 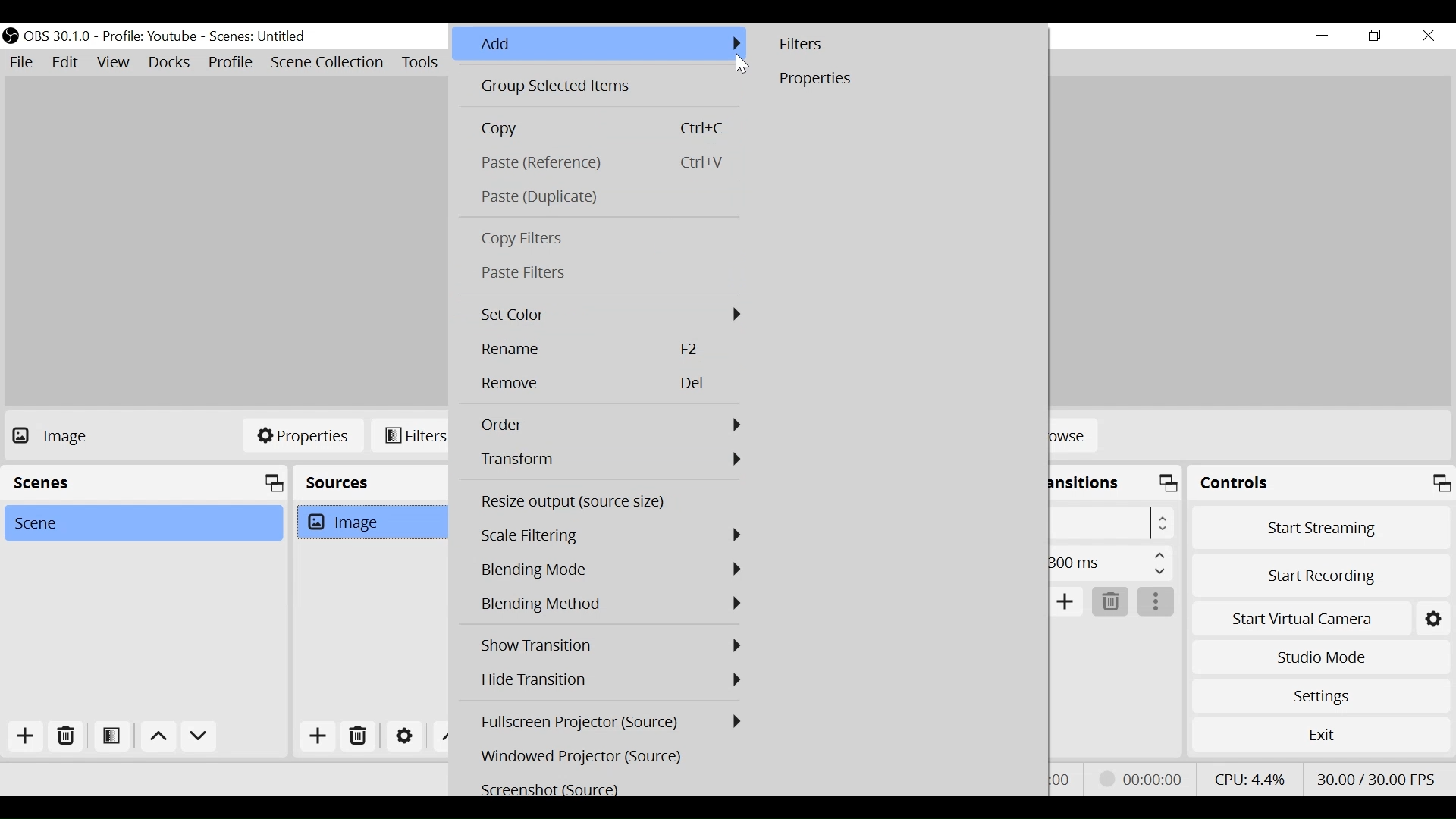 I want to click on Scene Transition, so click(x=1117, y=482).